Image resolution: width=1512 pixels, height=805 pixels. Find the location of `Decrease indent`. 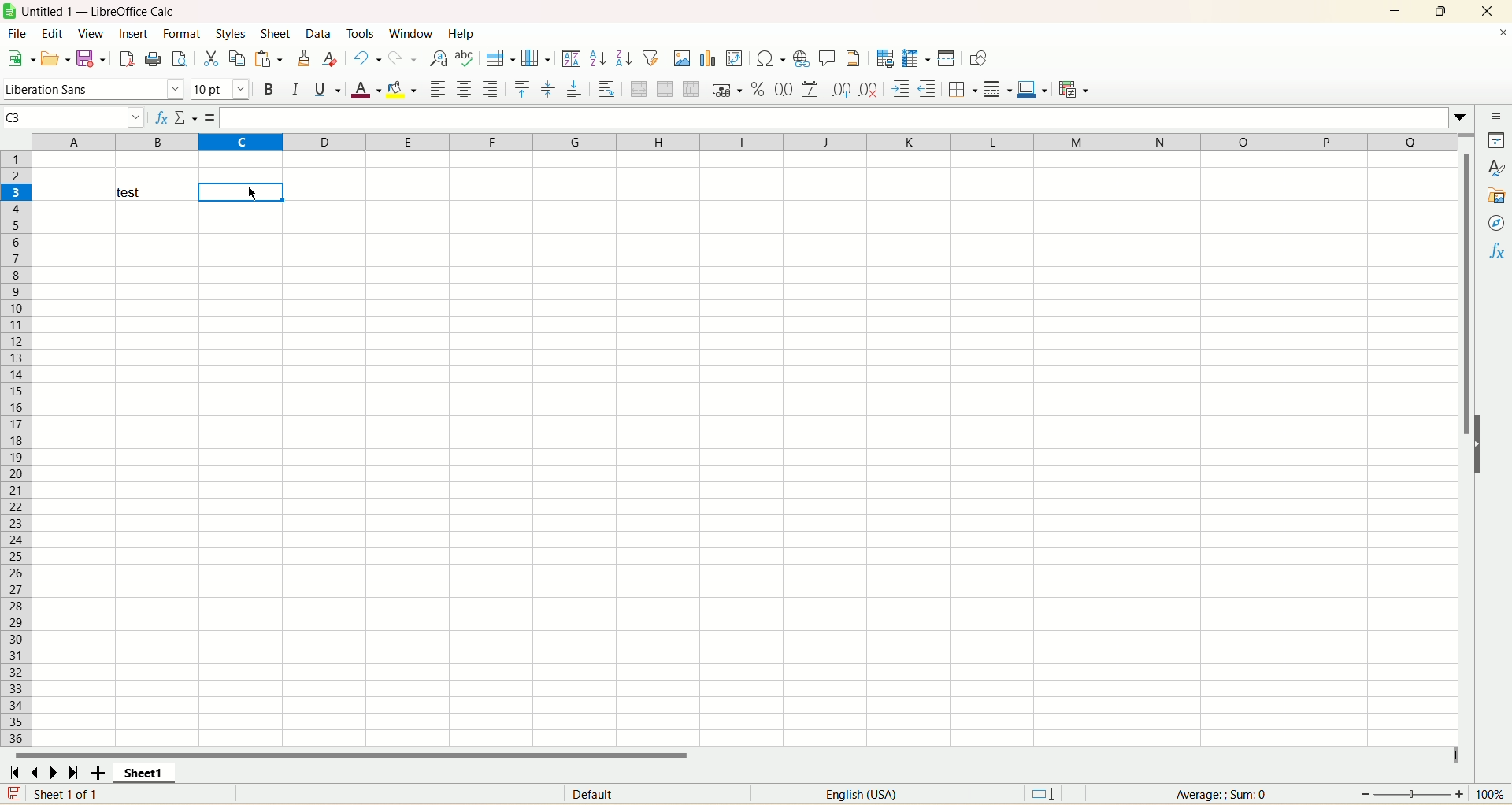

Decrease indent is located at coordinates (928, 89).